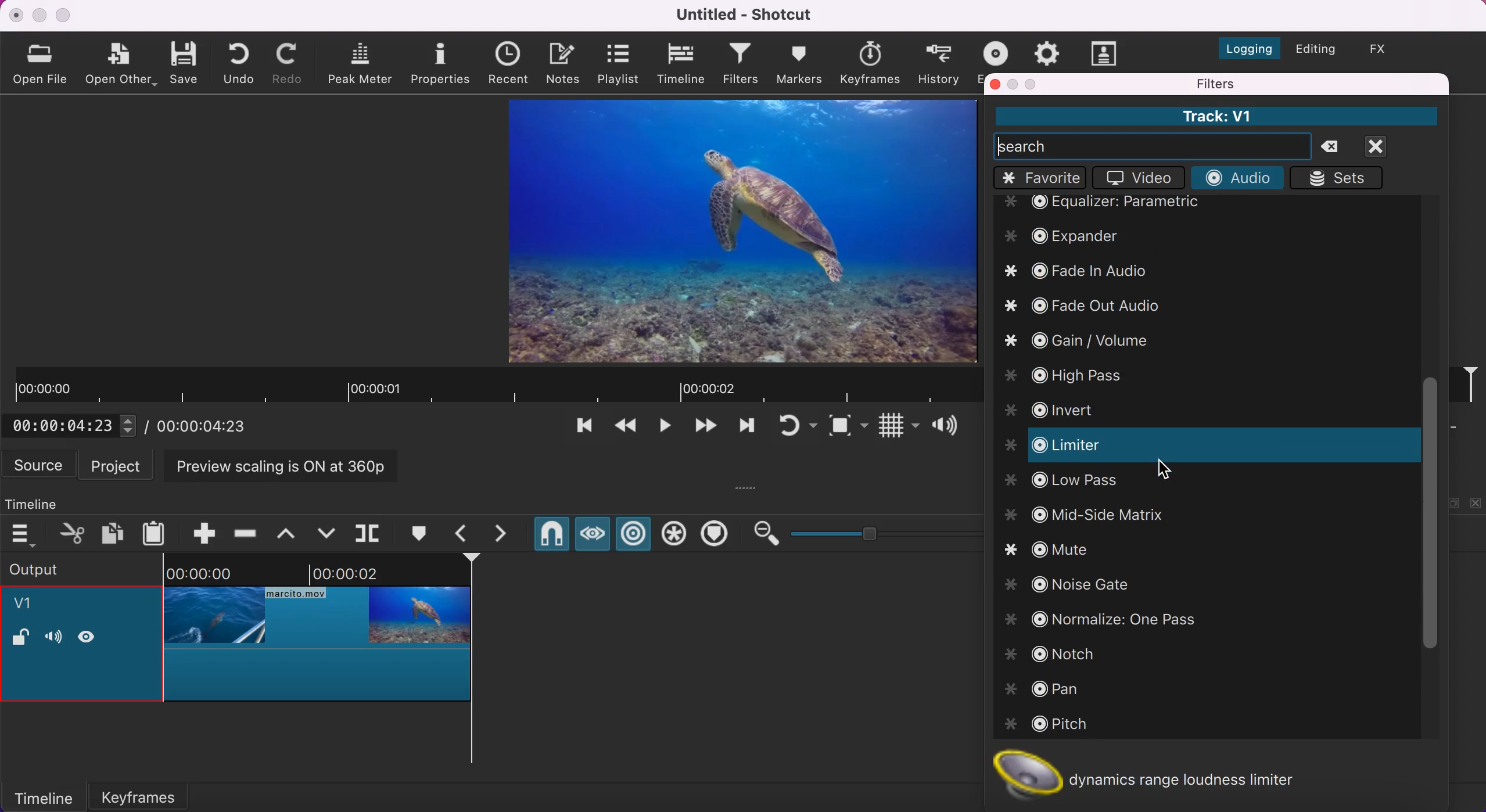 This screenshot has height=812, width=1486. What do you see at coordinates (624, 429) in the screenshot?
I see `play quickly backwards` at bounding box center [624, 429].